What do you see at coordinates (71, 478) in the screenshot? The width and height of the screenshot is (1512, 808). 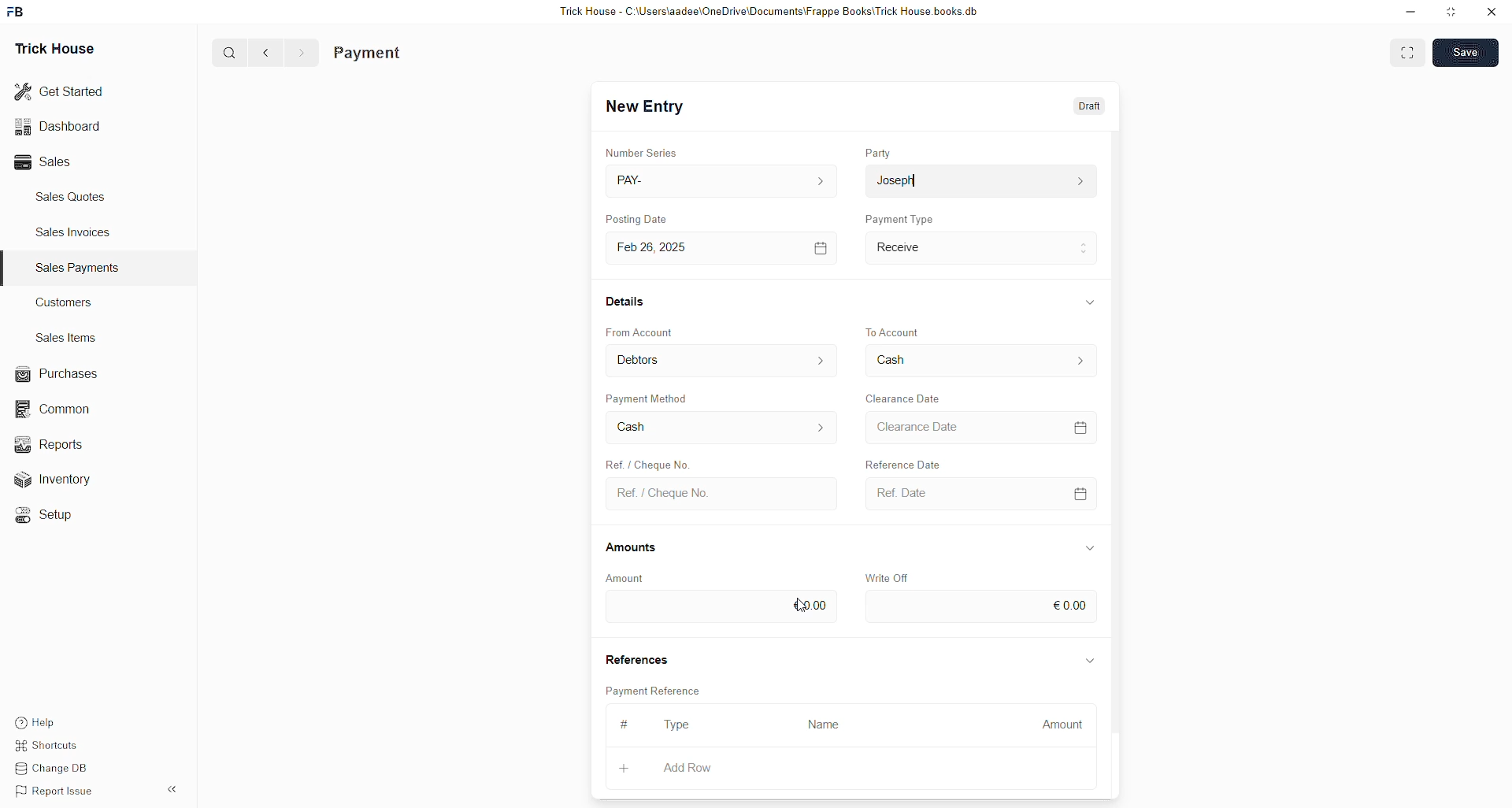 I see `Inventory` at bounding box center [71, 478].